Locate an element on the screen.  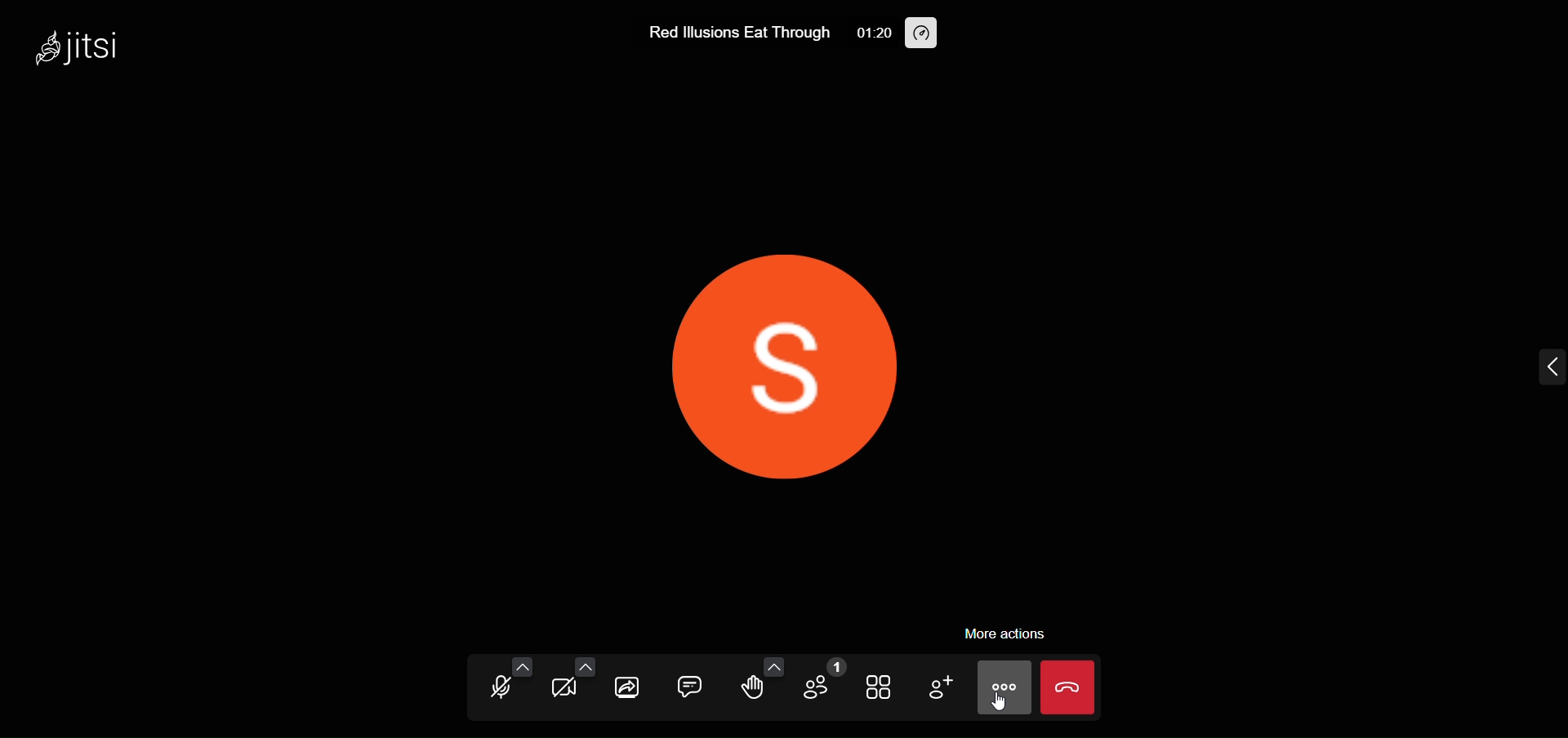
microphone is located at coordinates (499, 688).